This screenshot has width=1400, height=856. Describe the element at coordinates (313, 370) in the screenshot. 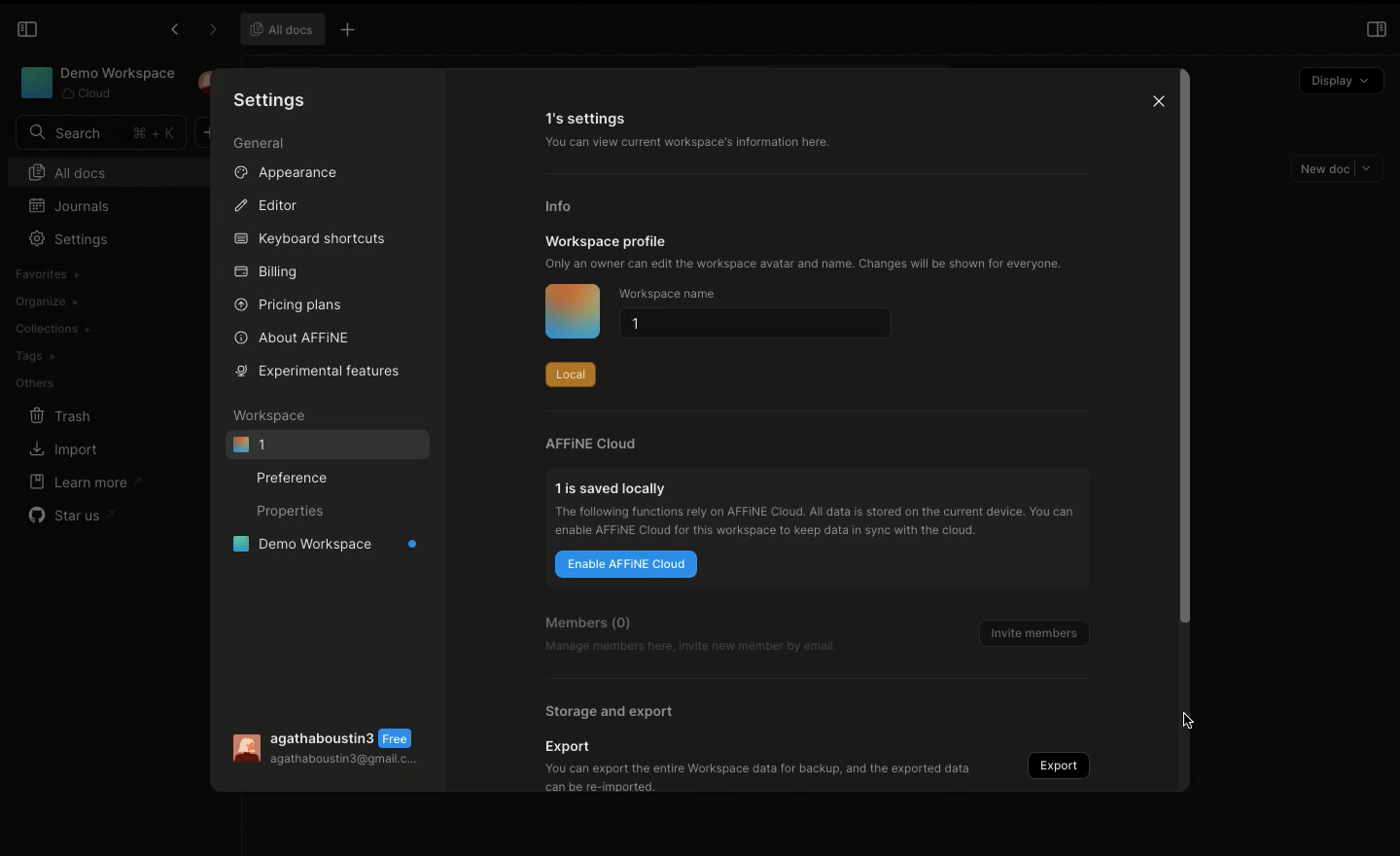

I see `Experimental features` at that location.